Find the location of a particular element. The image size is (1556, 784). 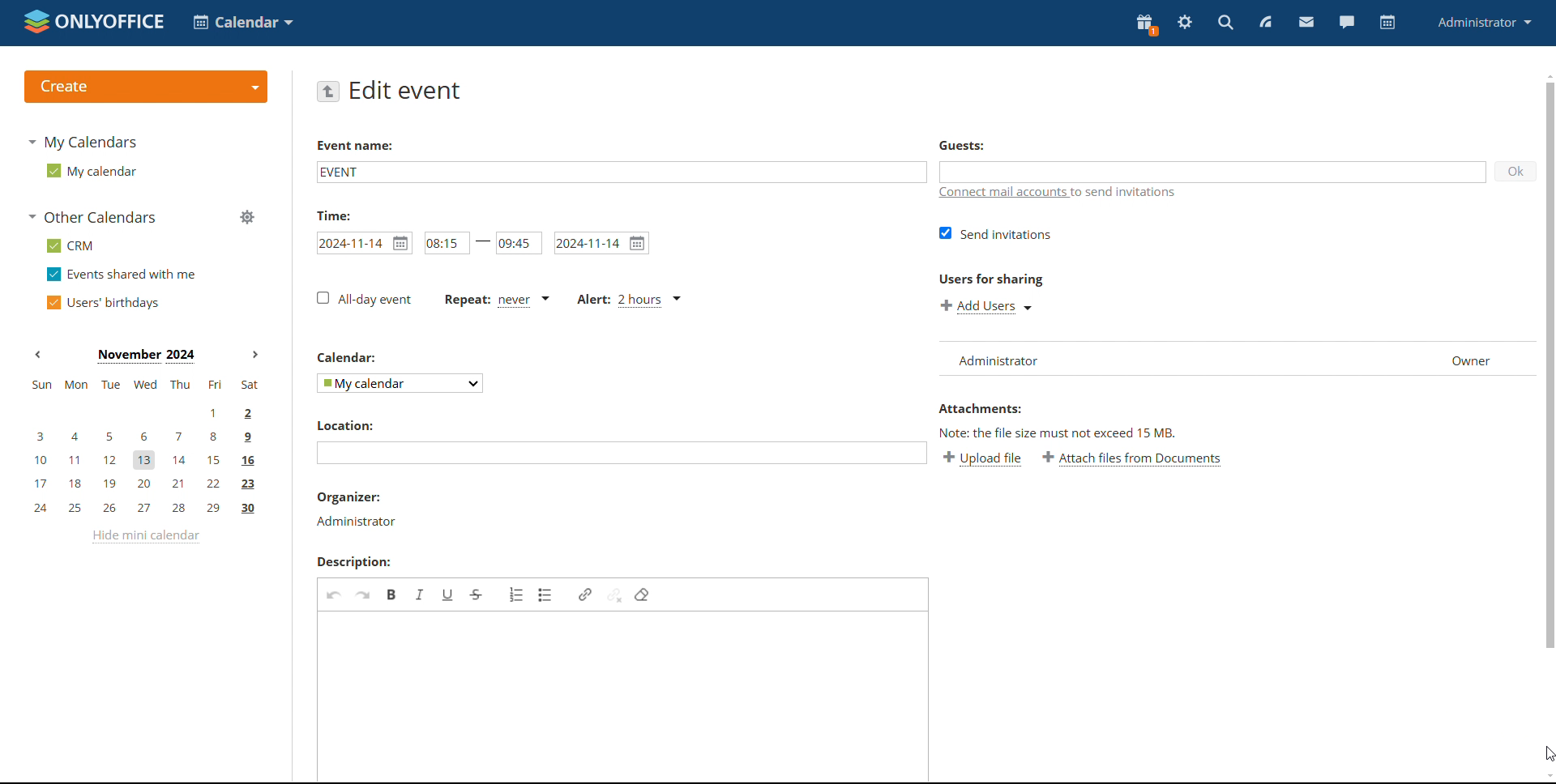

note about file size exceeding  is located at coordinates (1062, 435).